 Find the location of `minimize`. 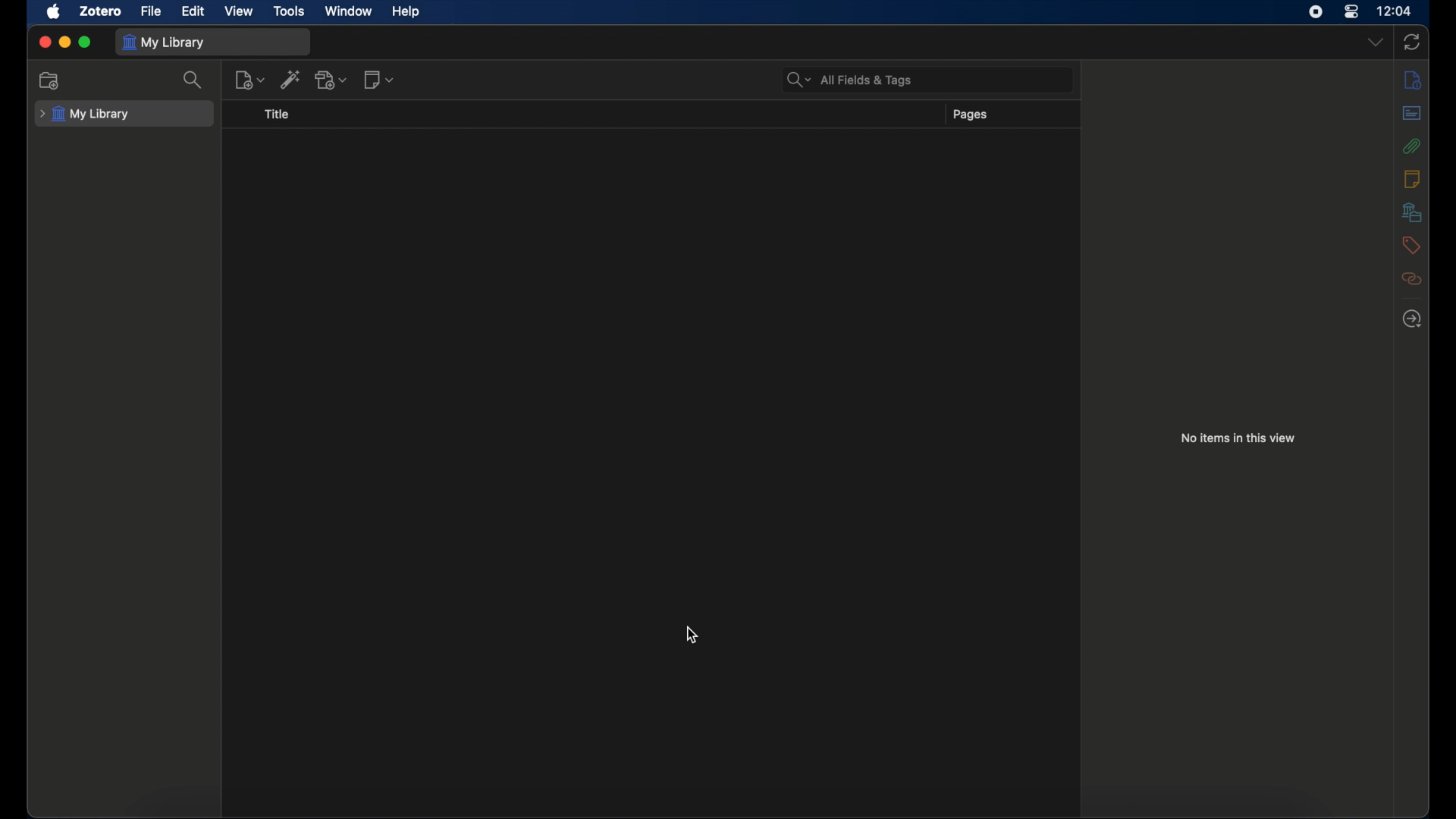

minimize is located at coordinates (64, 42).